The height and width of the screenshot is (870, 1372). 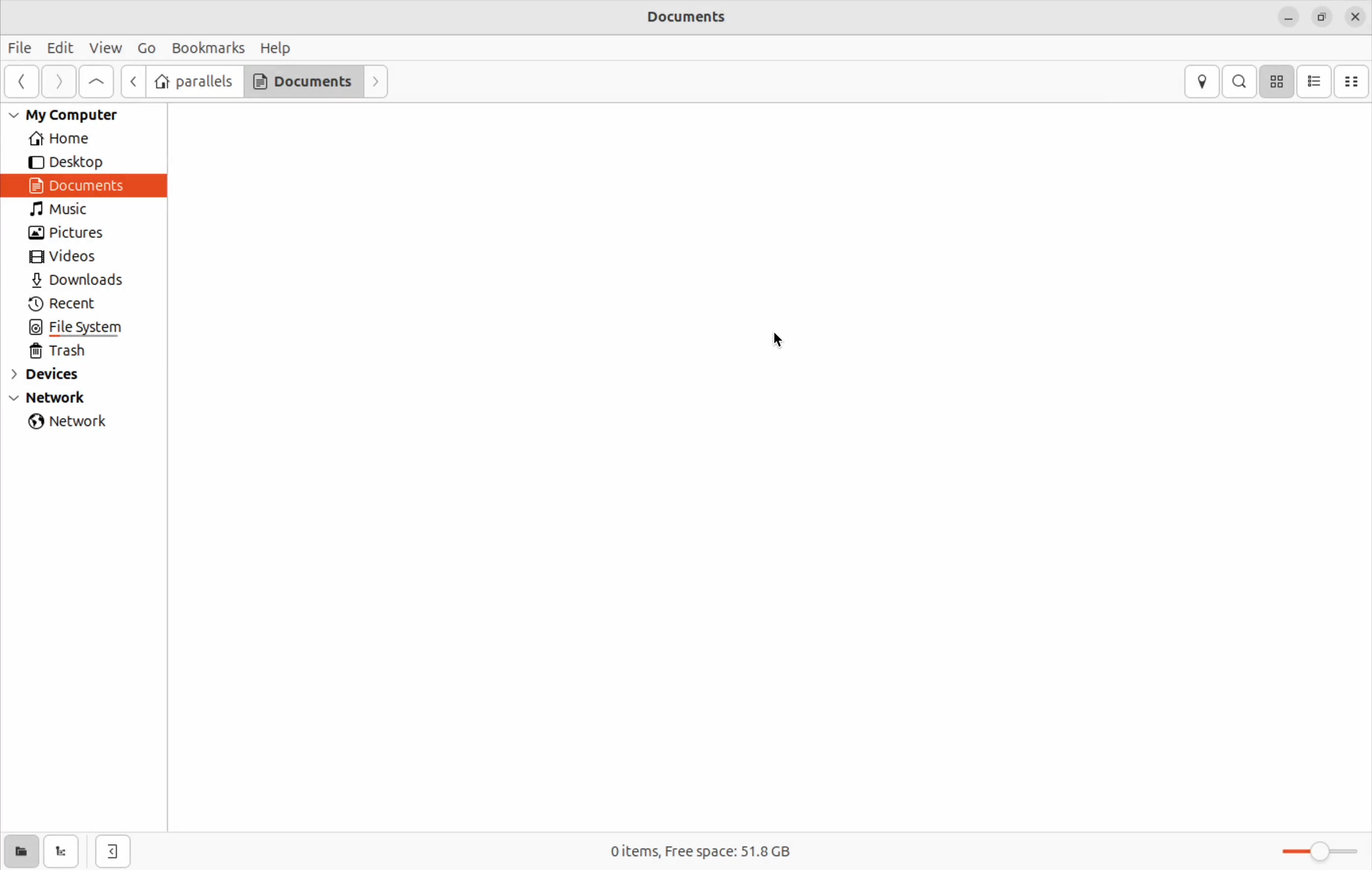 What do you see at coordinates (81, 281) in the screenshot?
I see `Downlaods` at bounding box center [81, 281].